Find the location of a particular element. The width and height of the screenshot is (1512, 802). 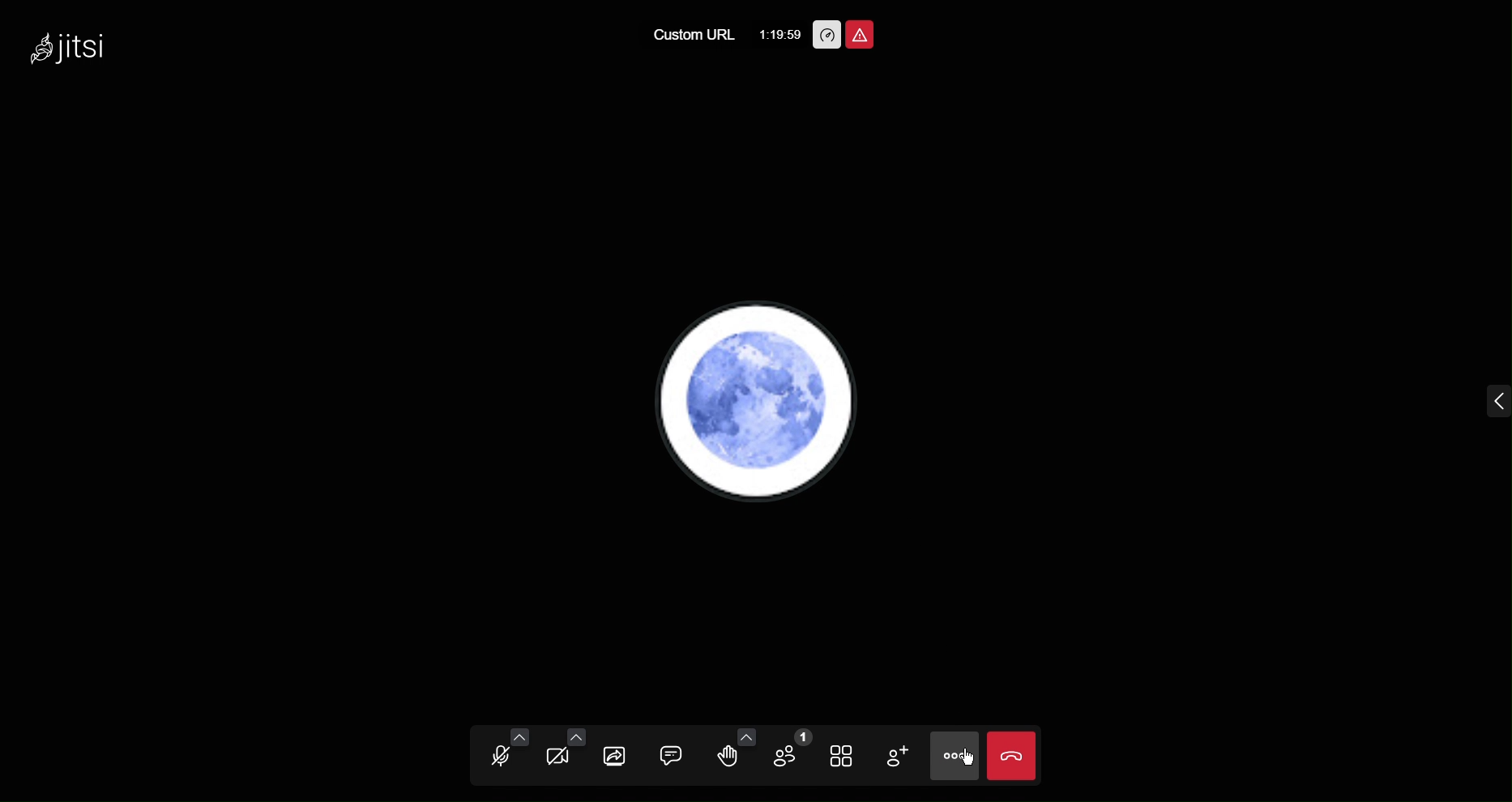

Chat is located at coordinates (676, 753).